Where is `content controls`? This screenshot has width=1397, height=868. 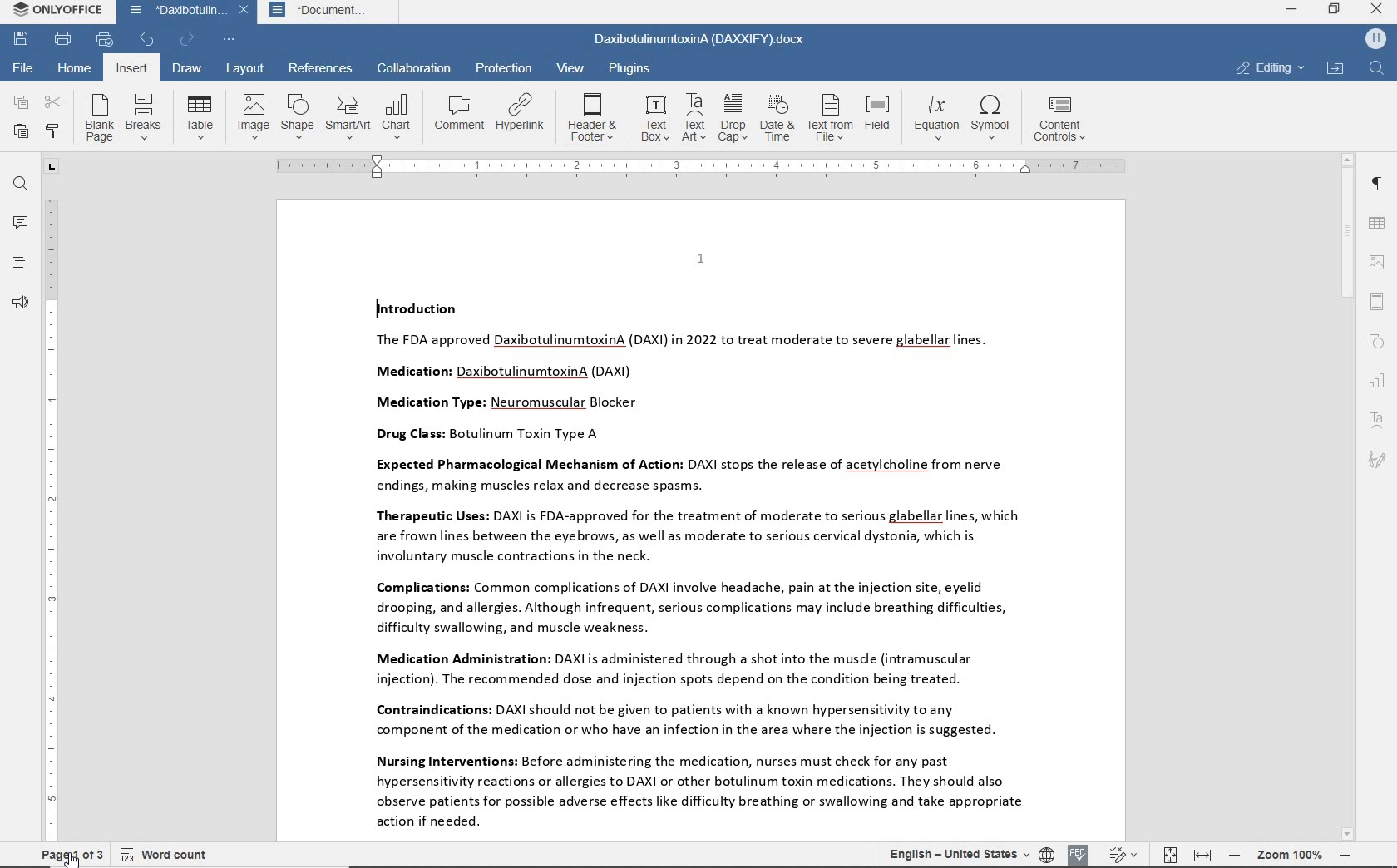 content controls is located at coordinates (1065, 119).